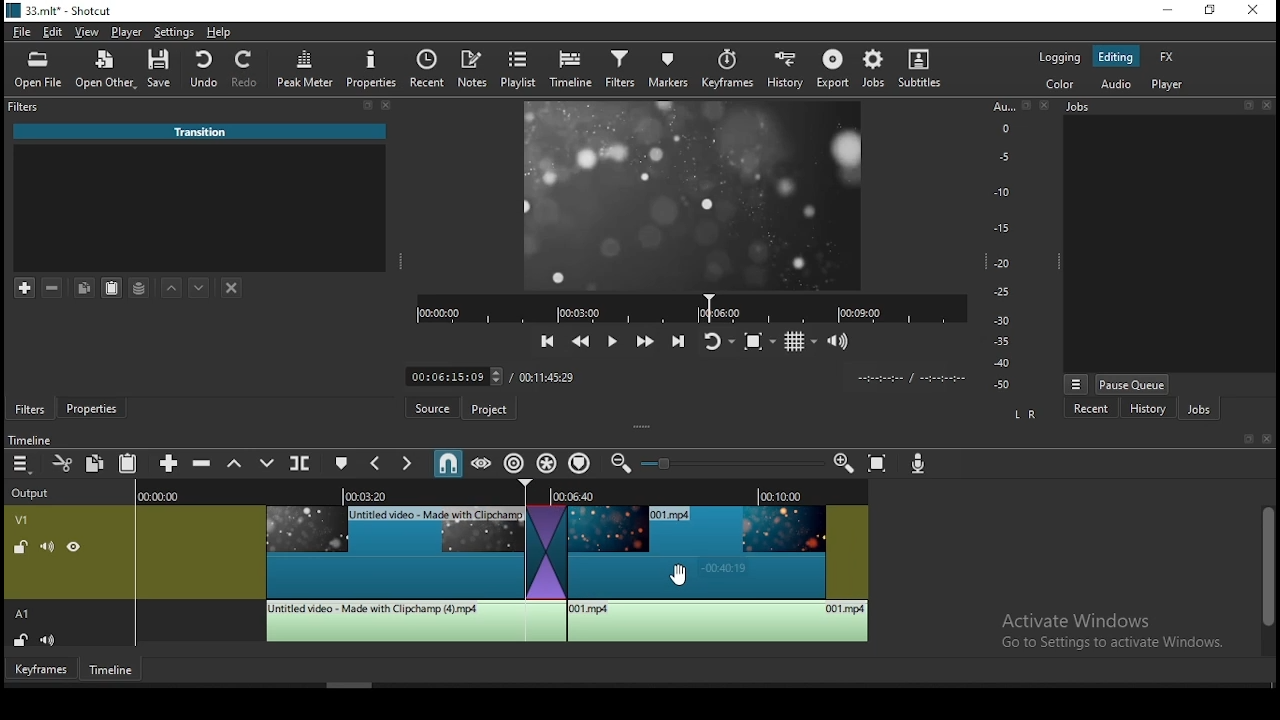  Describe the element at coordinates (734, 463) in the screenshot. I see `zoom in or zoom out slider` at that location.